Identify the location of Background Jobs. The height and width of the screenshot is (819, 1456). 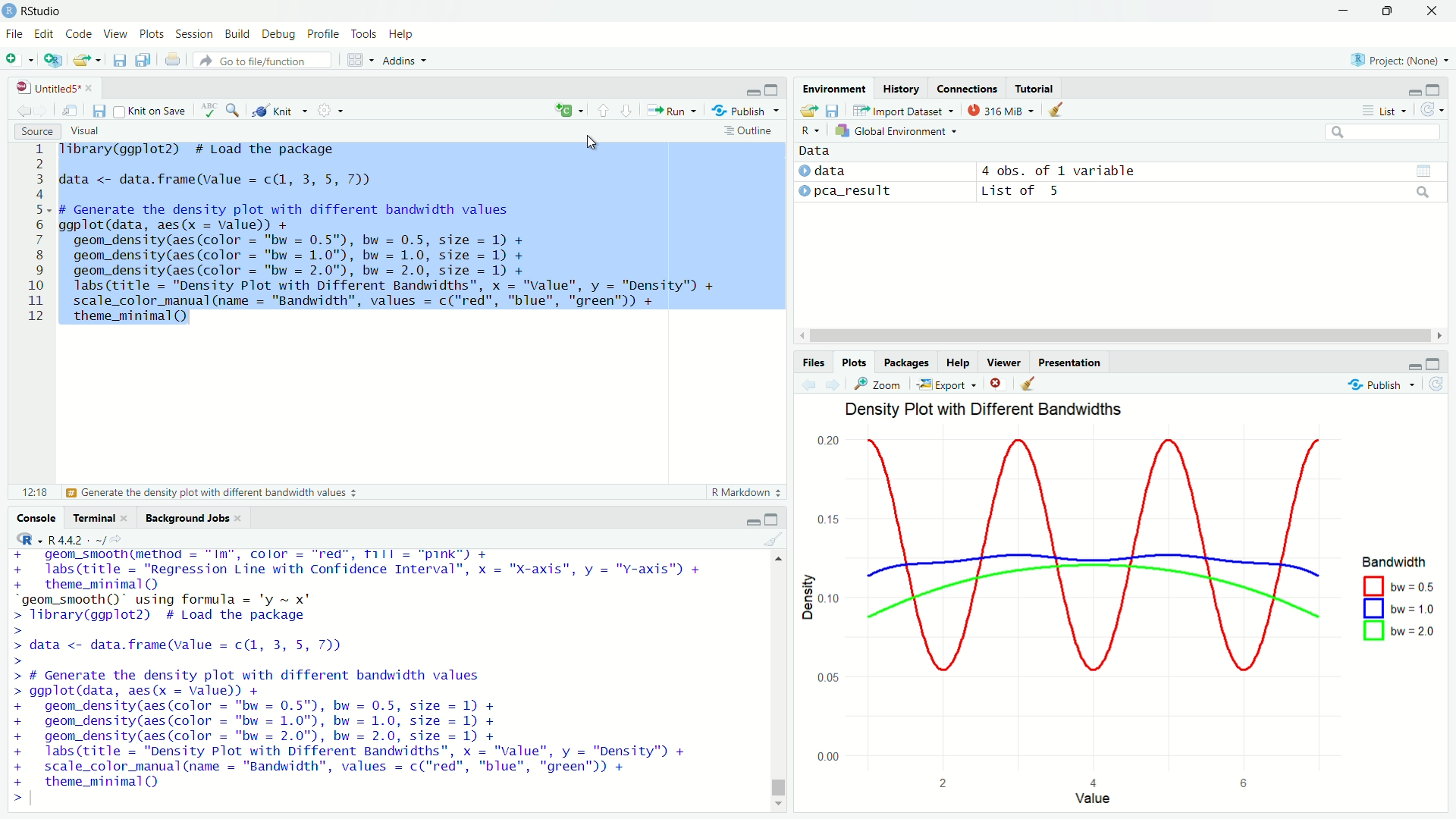
(187, 519).